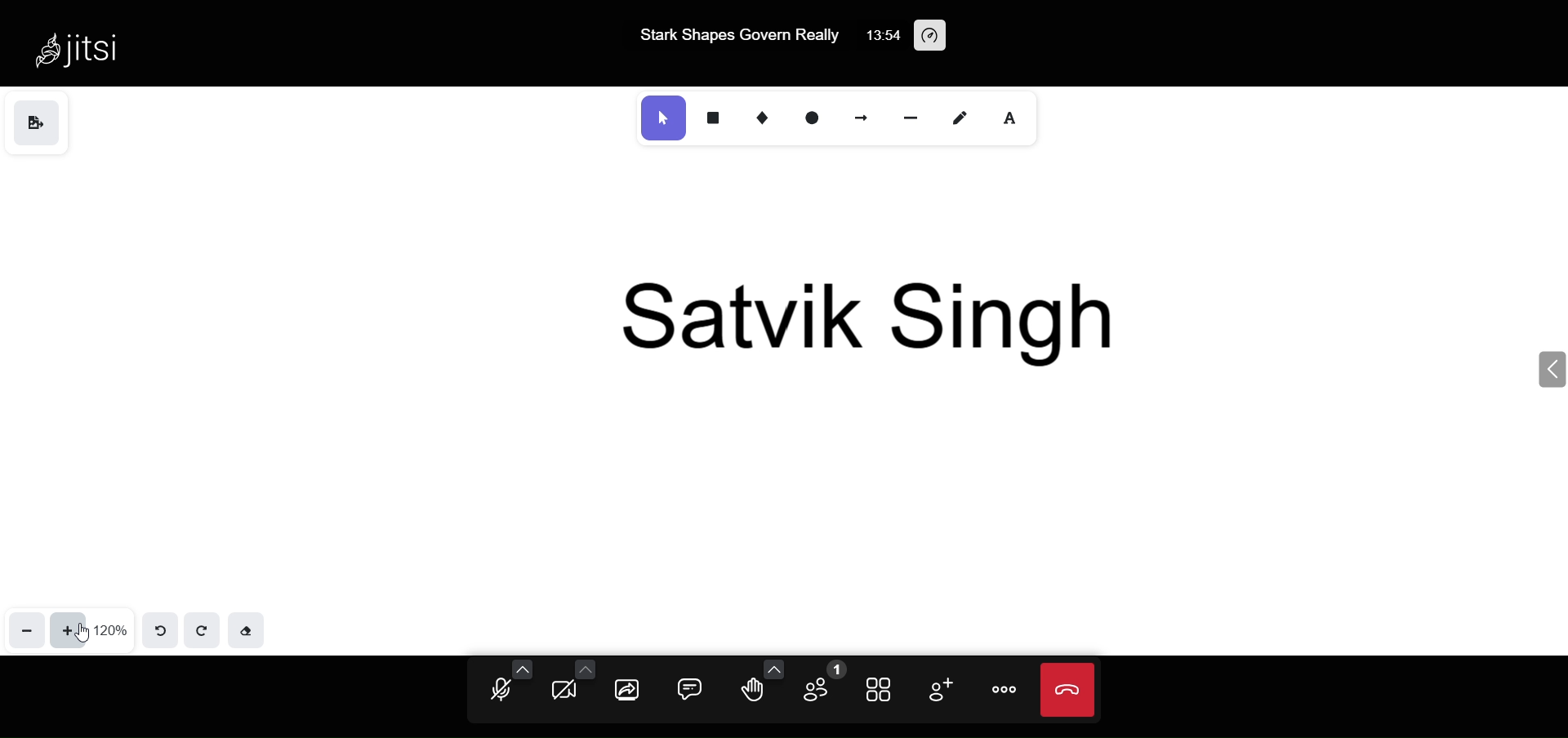  Describe the element at coordinates (1005, 690) in the screenshot. I see `more` at that location.